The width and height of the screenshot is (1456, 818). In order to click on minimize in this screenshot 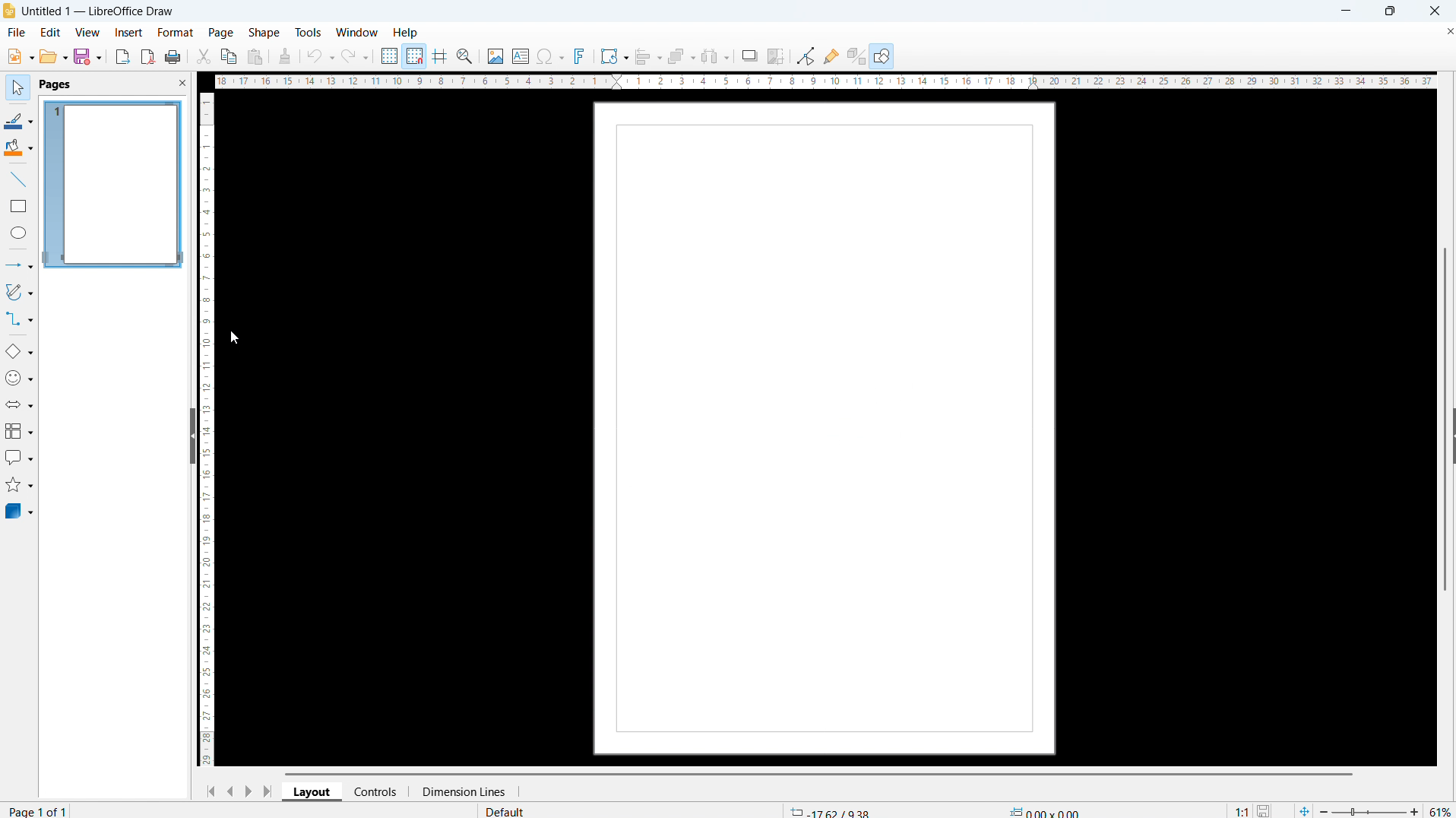, I will do `click(1347, 11)`.